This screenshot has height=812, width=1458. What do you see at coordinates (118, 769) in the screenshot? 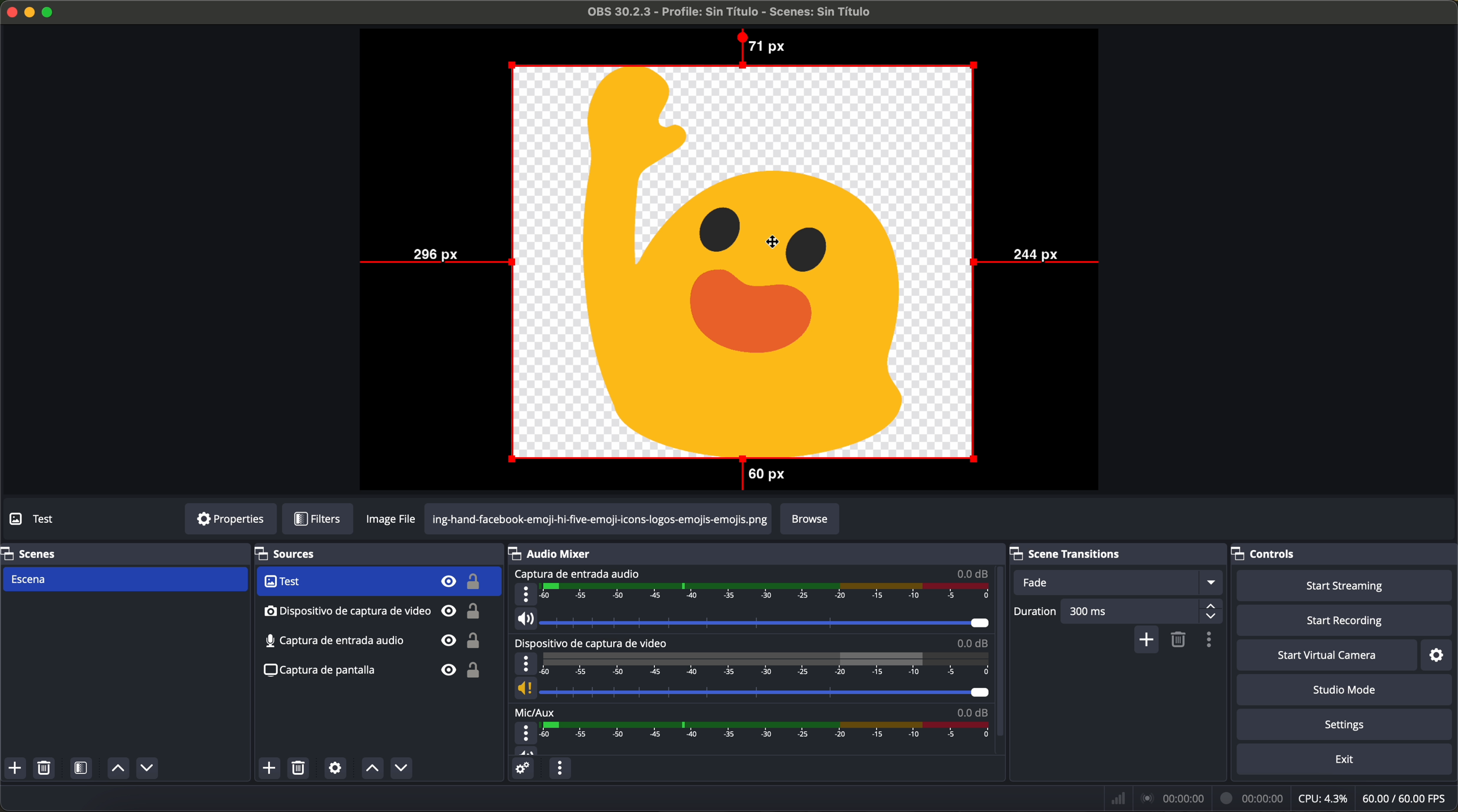
I see `move scene up` at bounding box center [118, 769].